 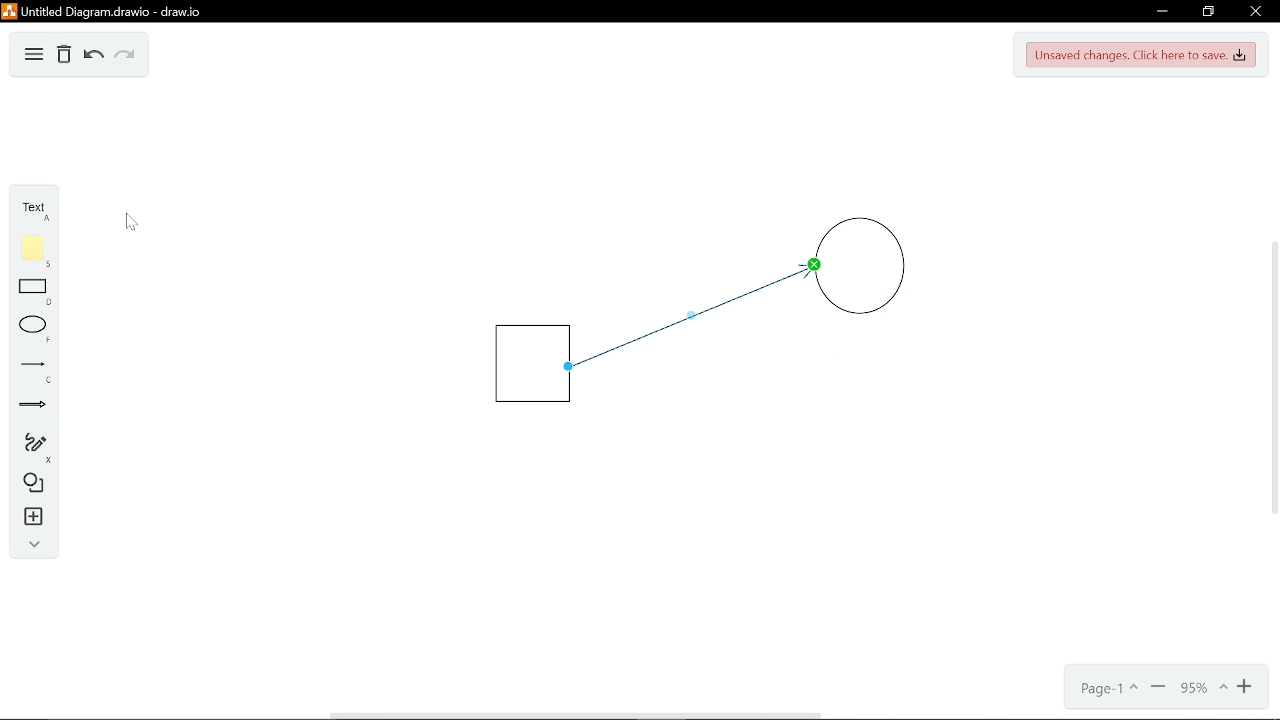 What do you see at coordinates (26, 406) in the screenshot?
I see `Arrow` at bounding box center [26, 406].